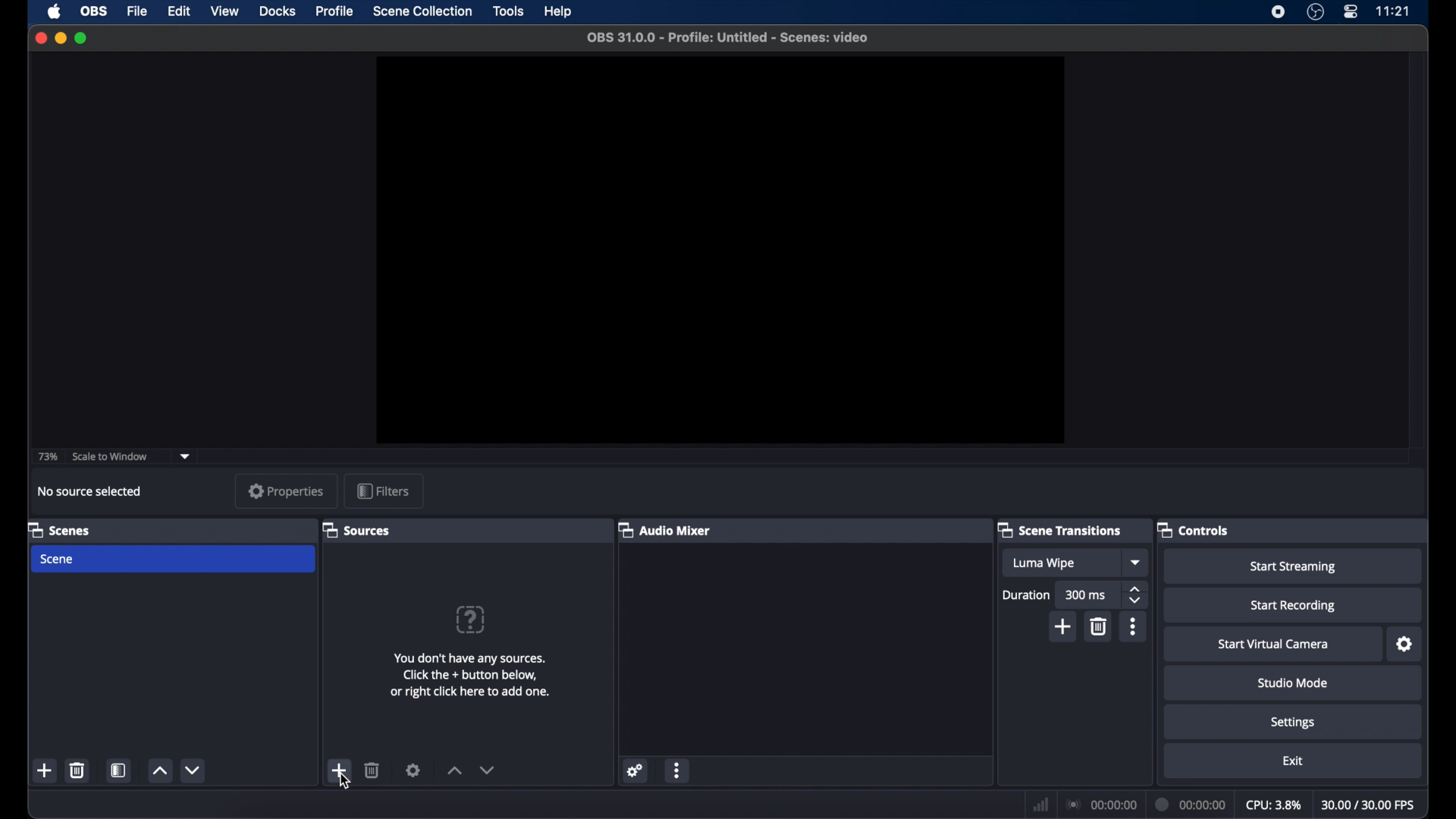 This screenshot has height=819, width=1456. I want to click on tools, so click(509, 11).